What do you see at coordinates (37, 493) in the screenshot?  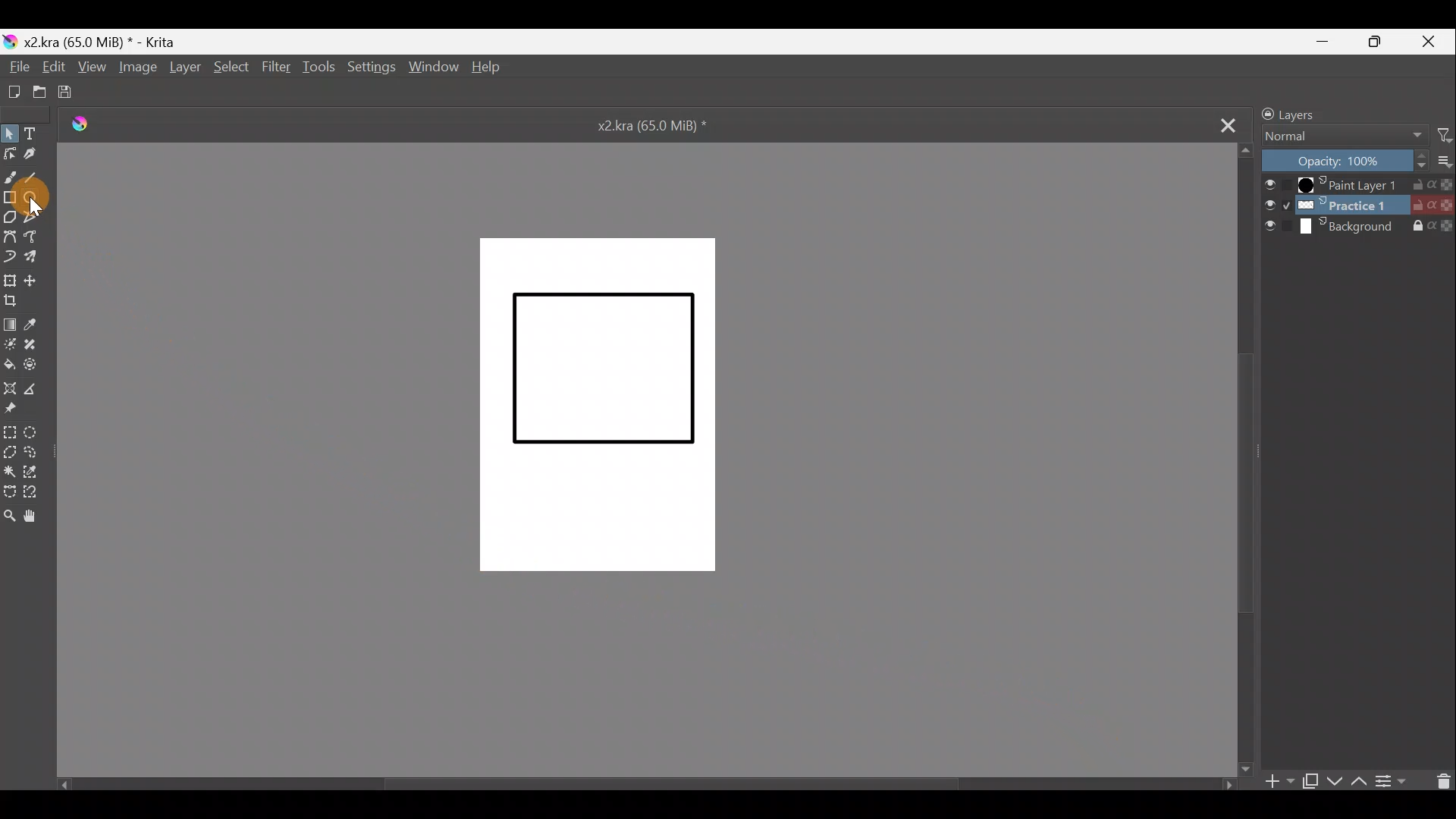 I see `Magnetic curve selection tool` at bounding box center [37, 493].